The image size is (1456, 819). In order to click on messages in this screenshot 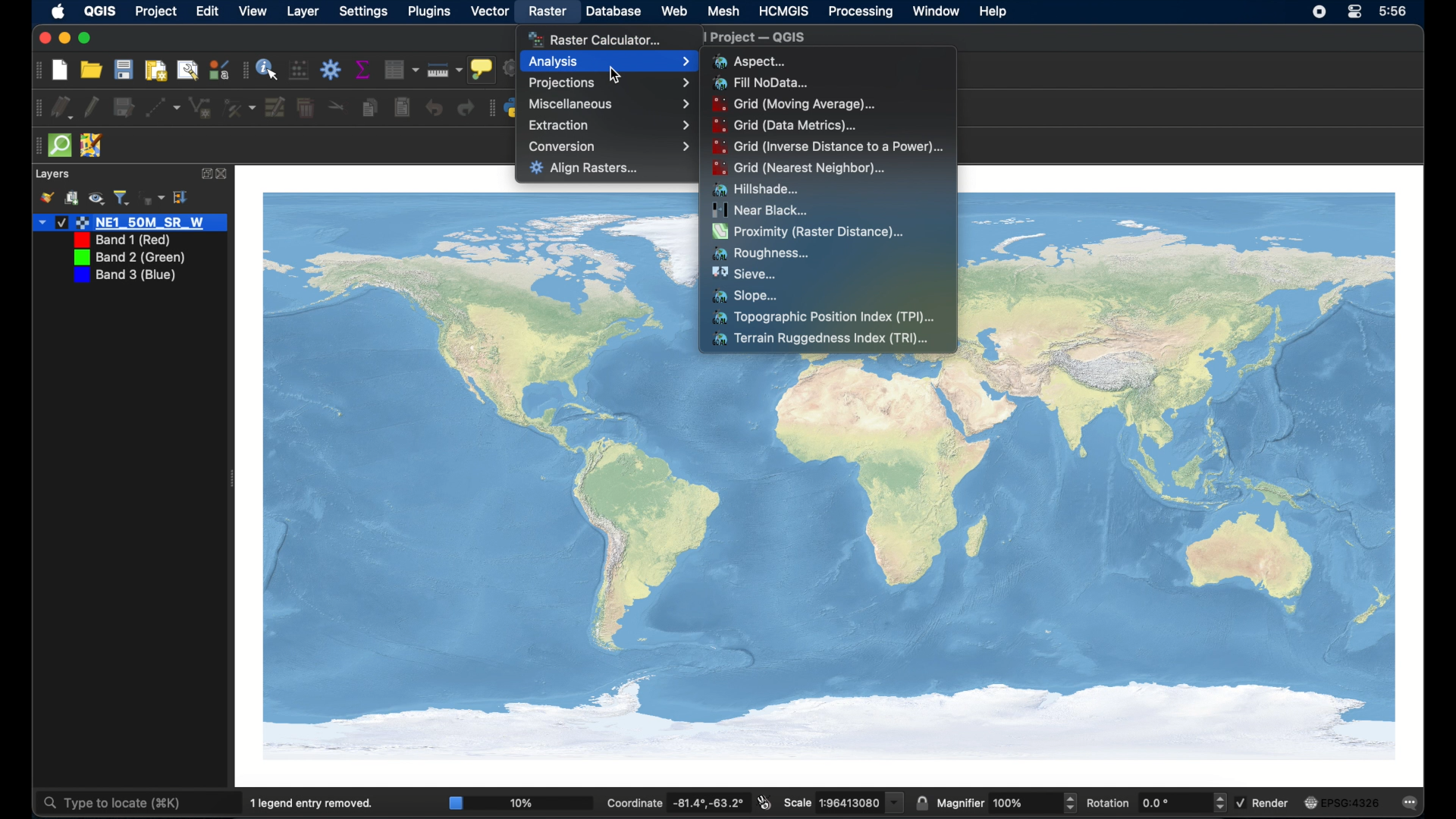, I will do `click(1412, 804)`.